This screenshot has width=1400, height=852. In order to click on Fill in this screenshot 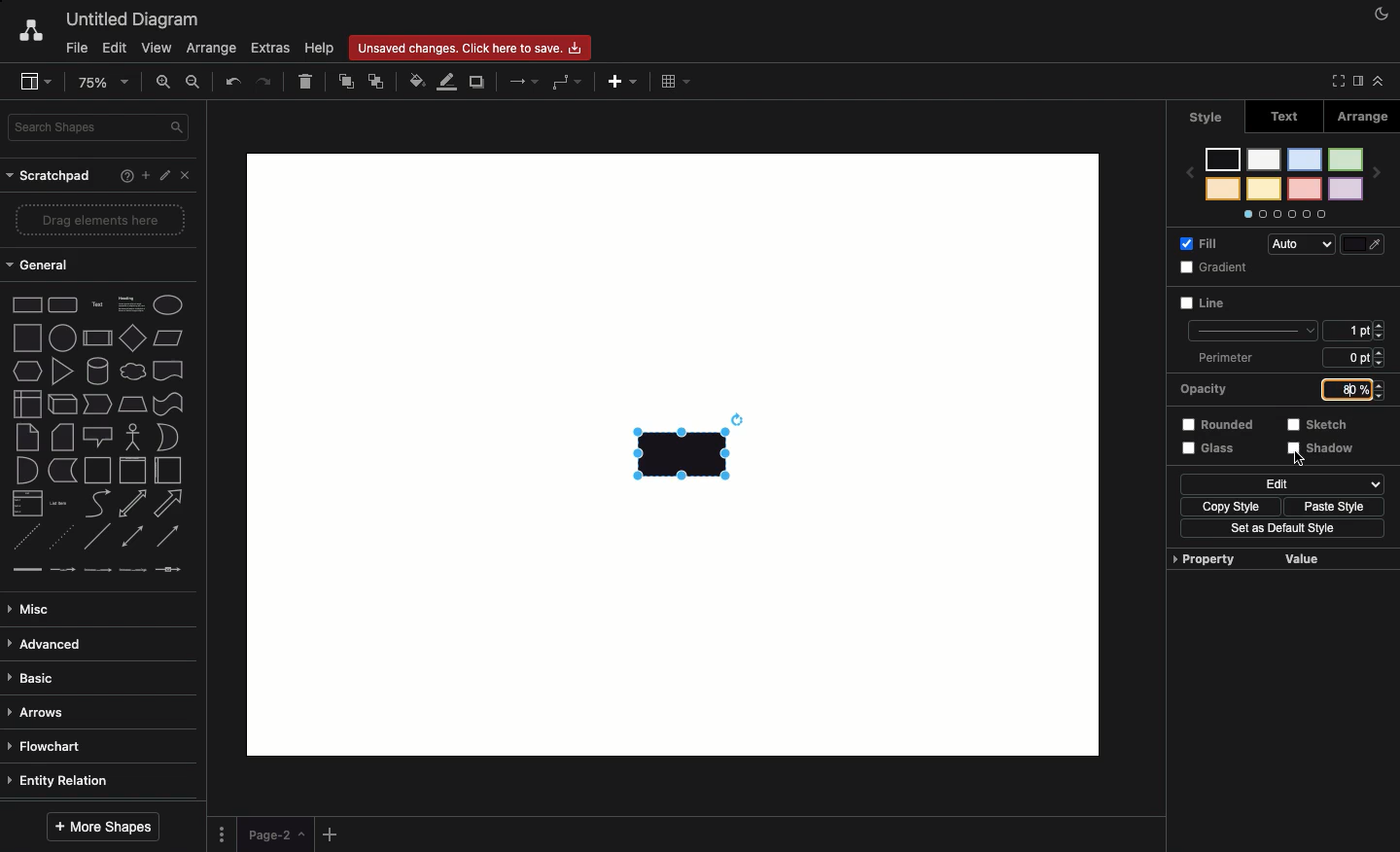, I will do `click(1201, 243)`.